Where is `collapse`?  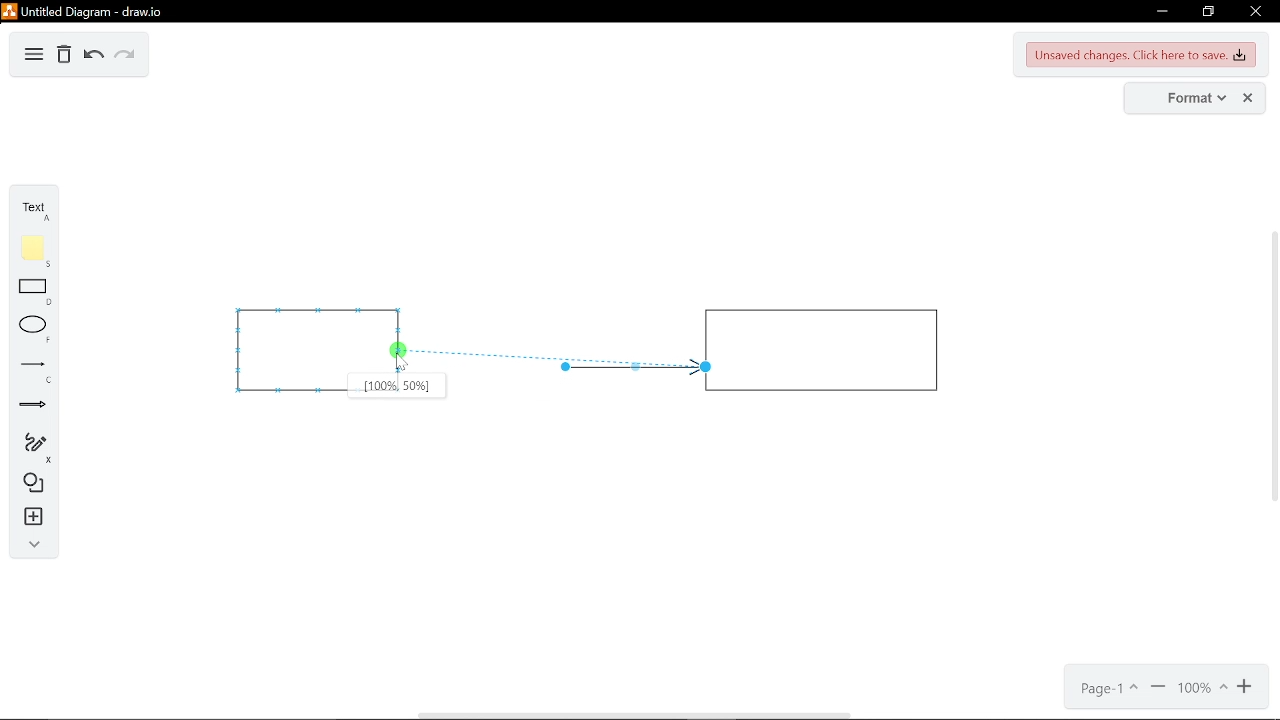 collapse is located at coordinates (33, 544).